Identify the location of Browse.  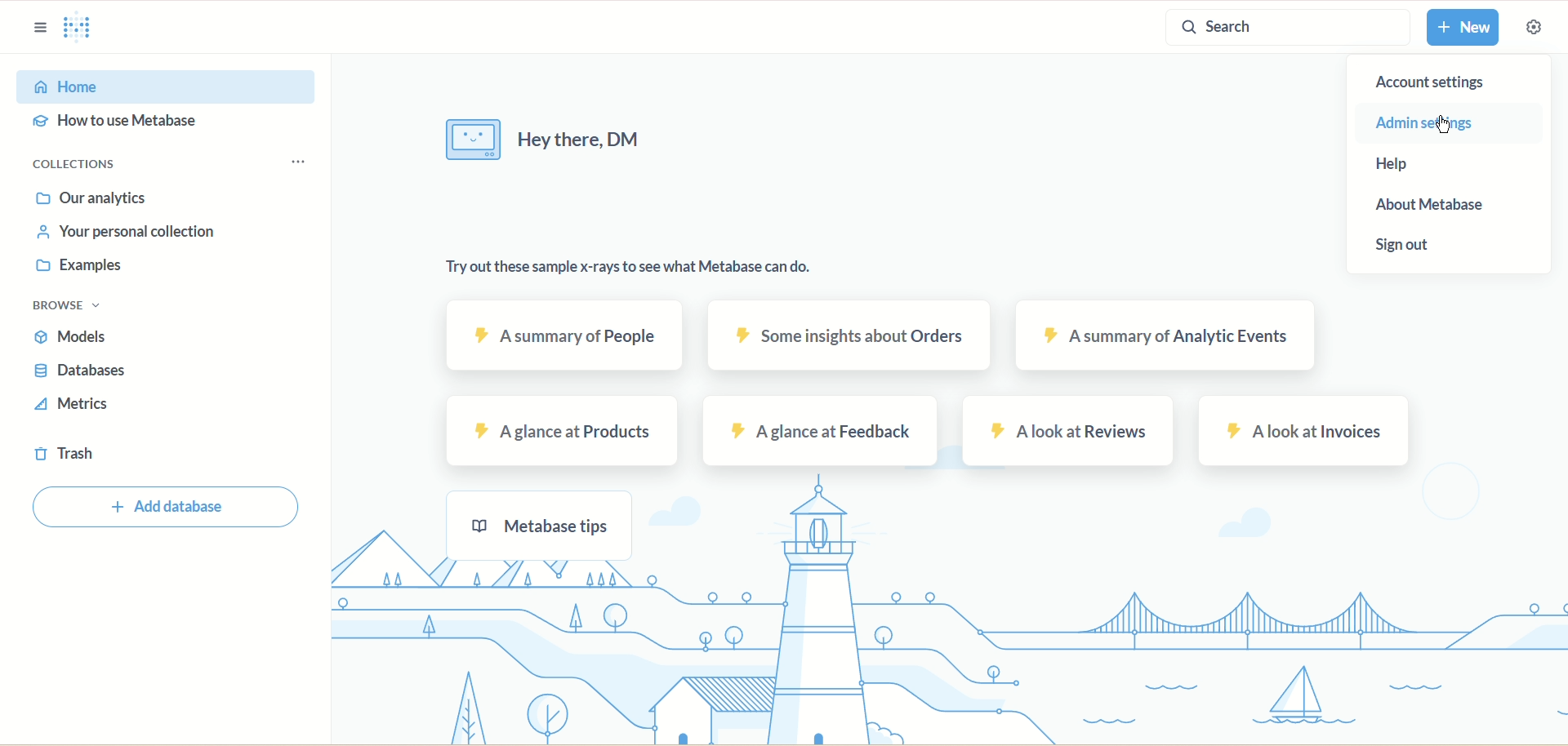
(58, 303).